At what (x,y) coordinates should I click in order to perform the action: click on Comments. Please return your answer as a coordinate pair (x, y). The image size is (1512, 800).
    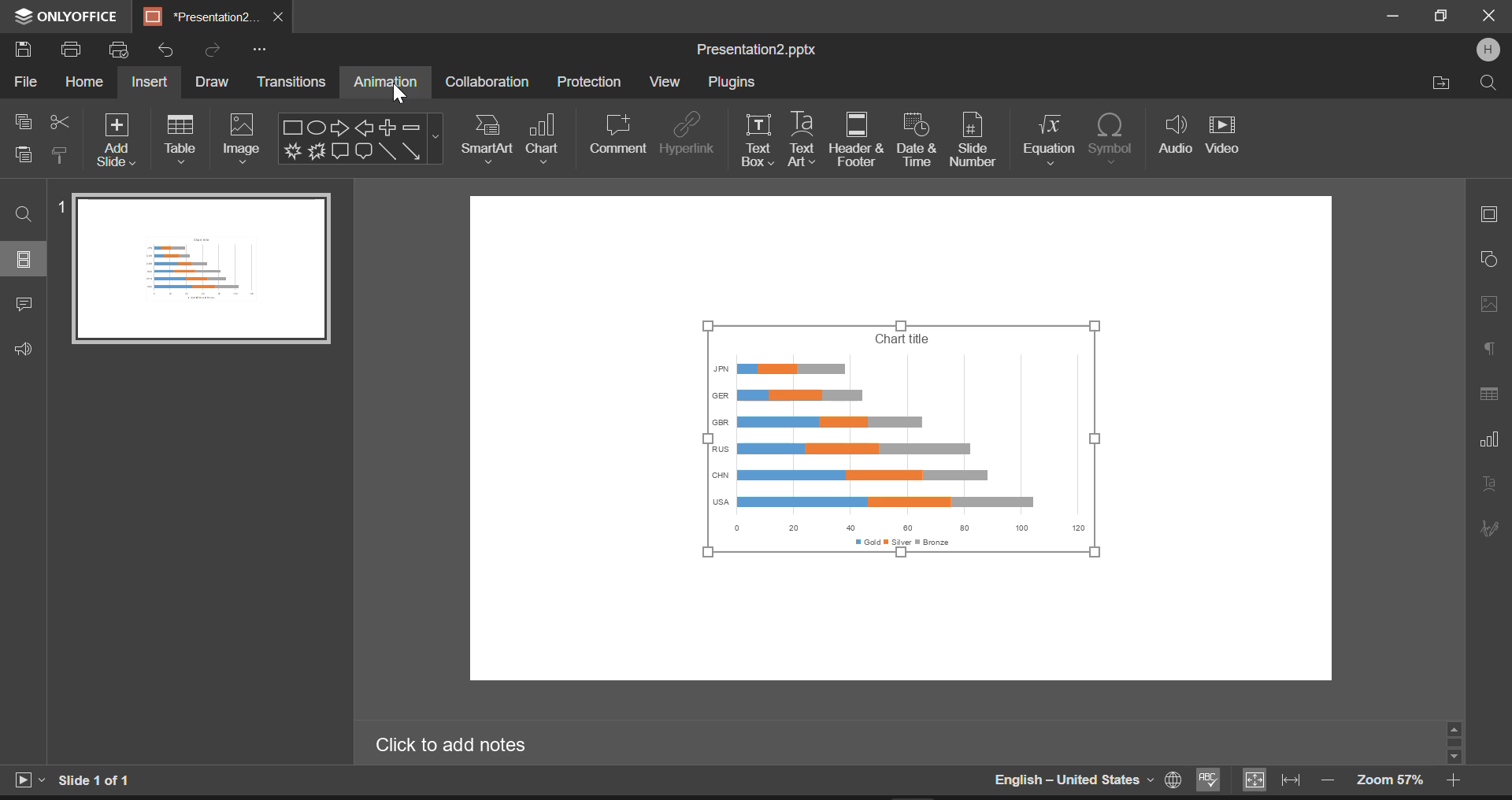
    Looking at the image, I should click on (24, 306).